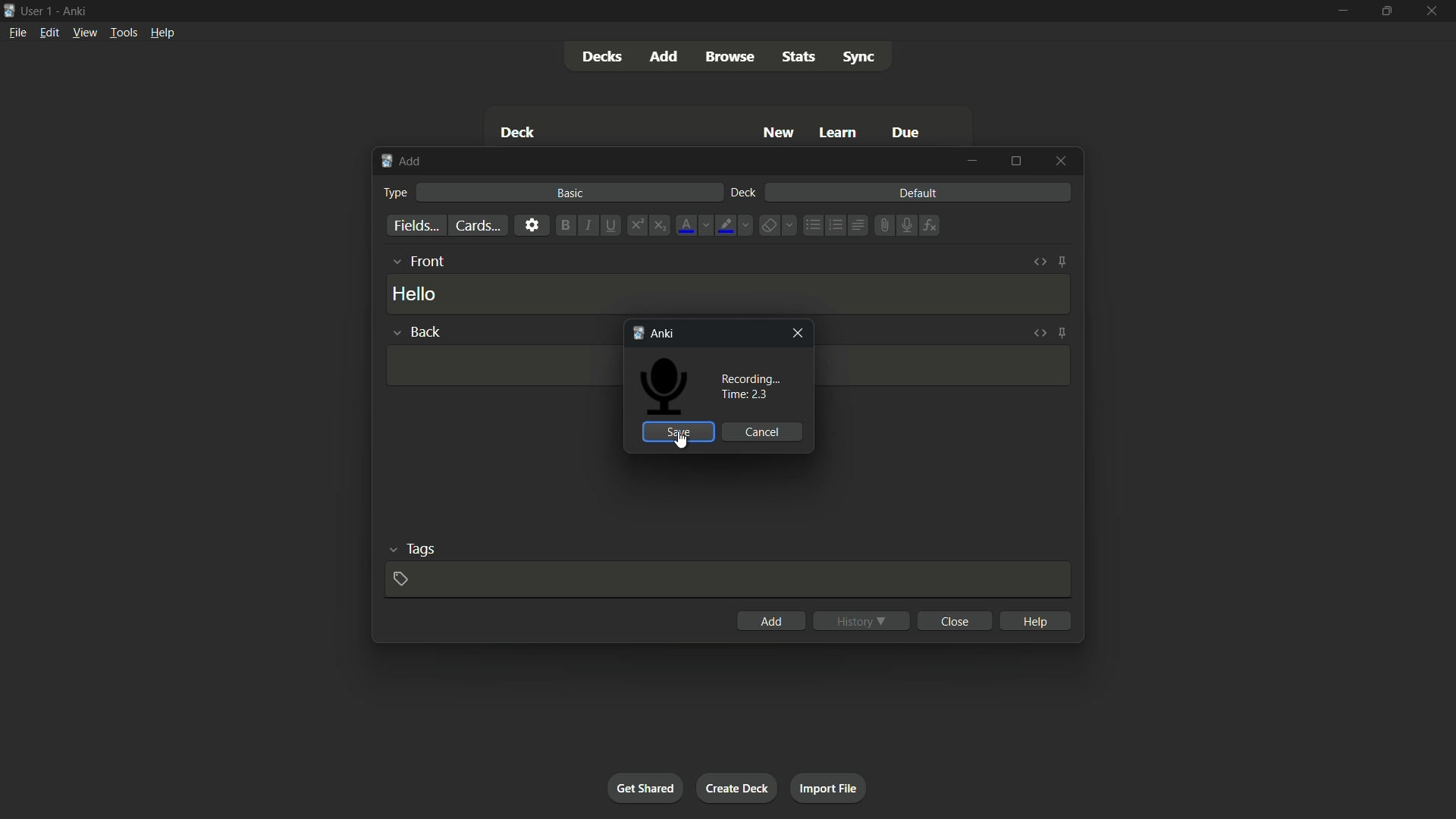 The image size is (1456, 819). I want to click on recording time : 2.3, so click(746, 387).